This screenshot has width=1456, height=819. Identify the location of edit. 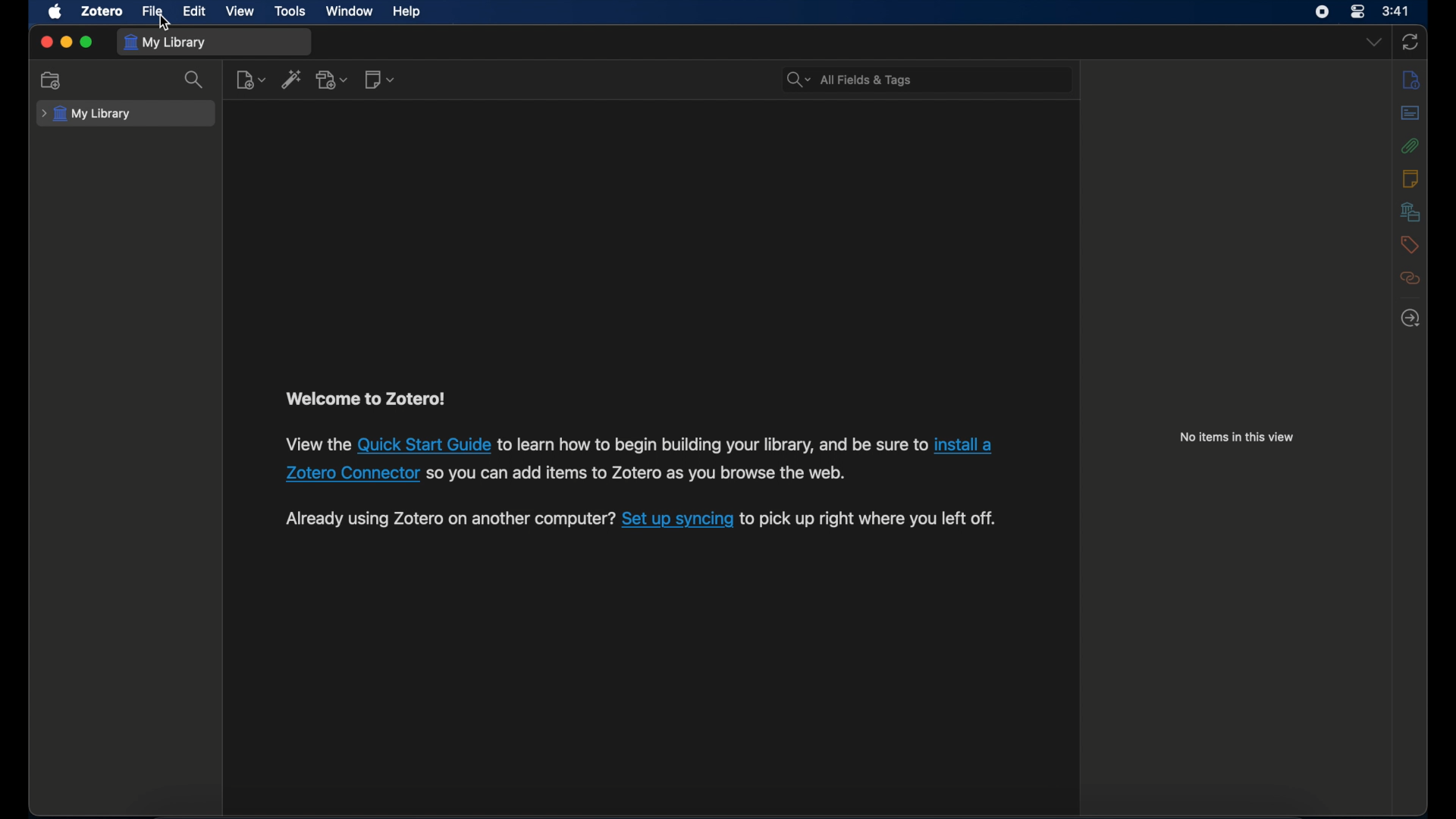
(196, 12).